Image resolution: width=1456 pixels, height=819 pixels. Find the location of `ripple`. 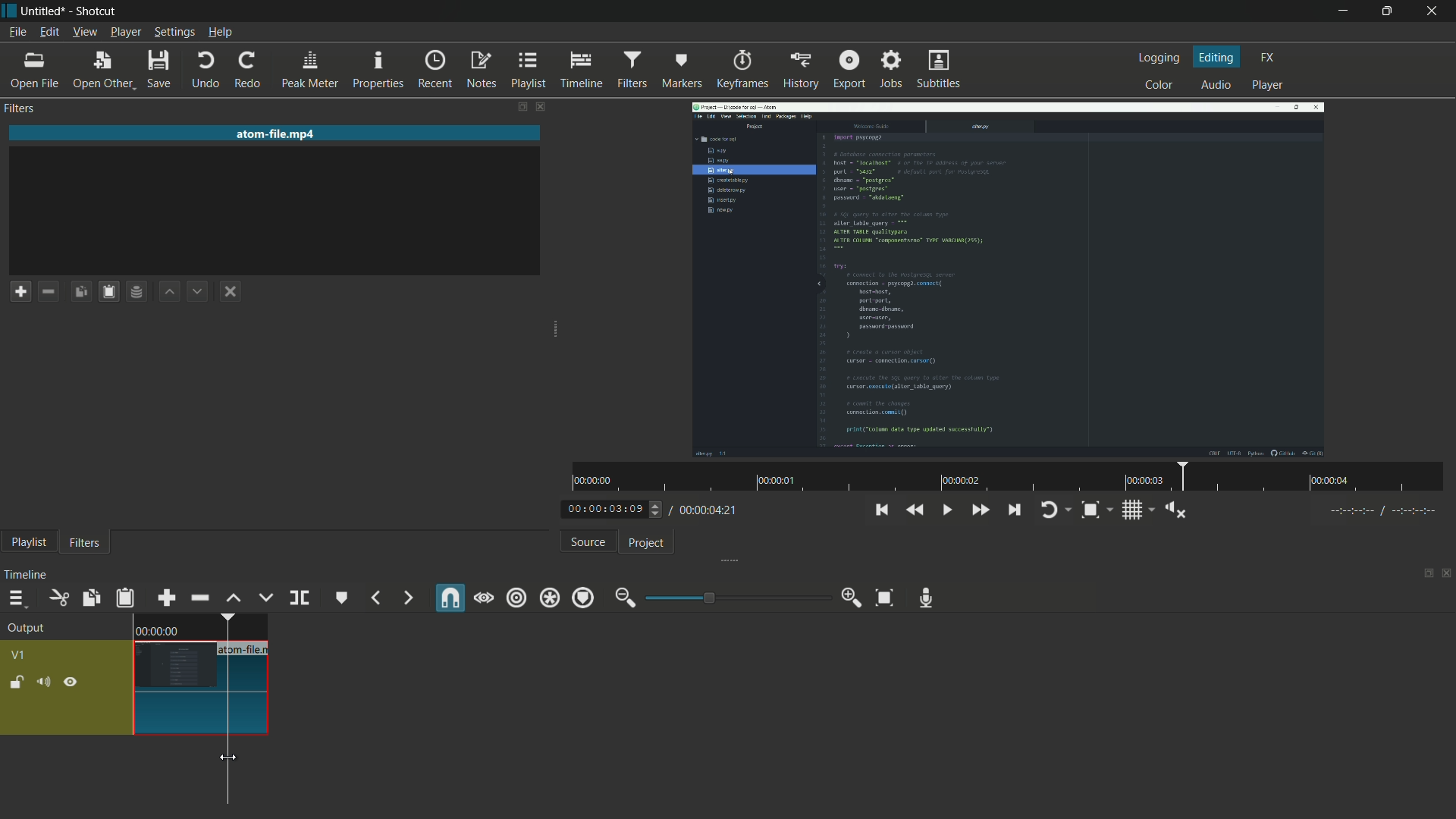

ripple is located at coordinates (515, 598).